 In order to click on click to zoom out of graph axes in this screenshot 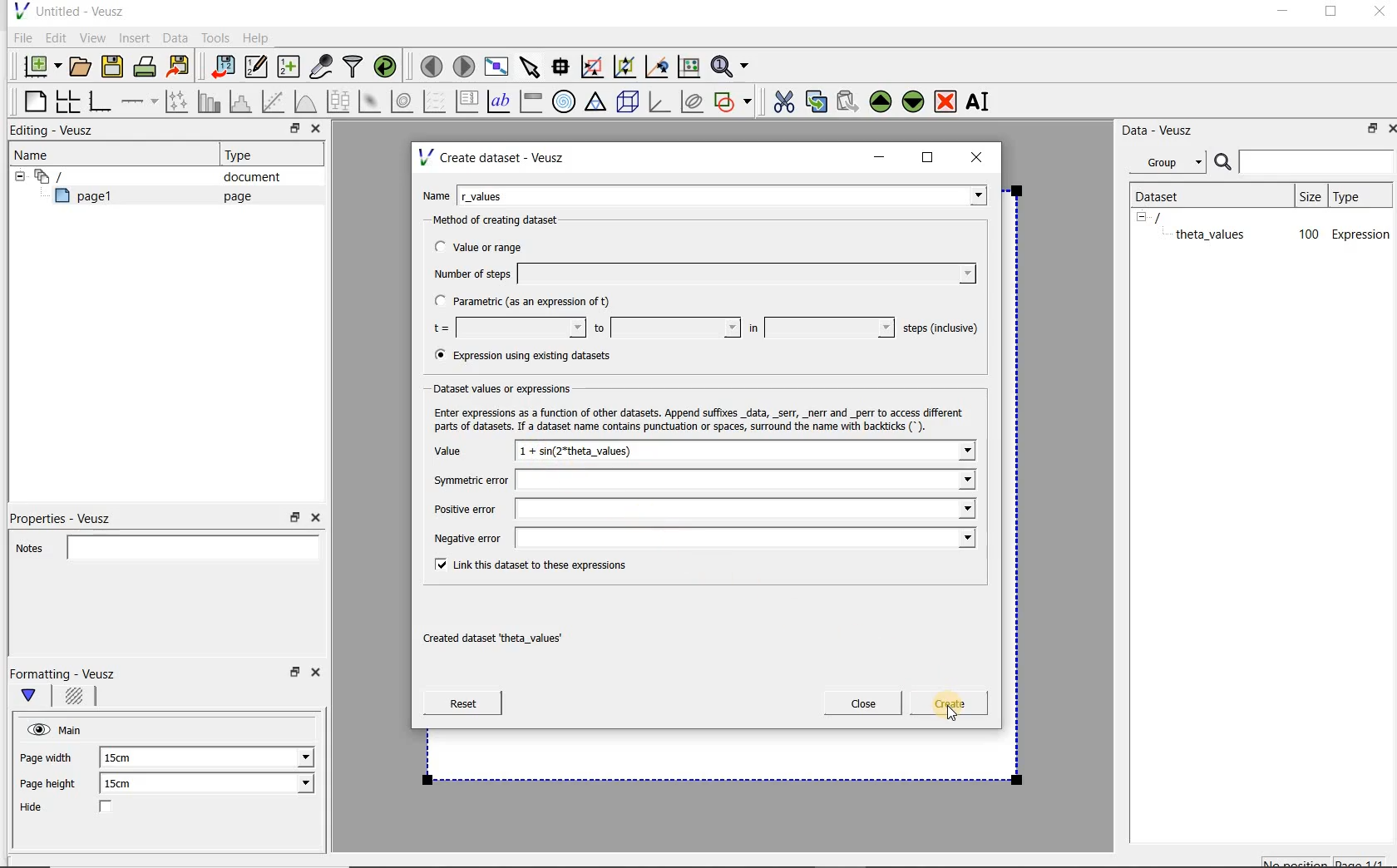, I will do `click(625, 67)`.